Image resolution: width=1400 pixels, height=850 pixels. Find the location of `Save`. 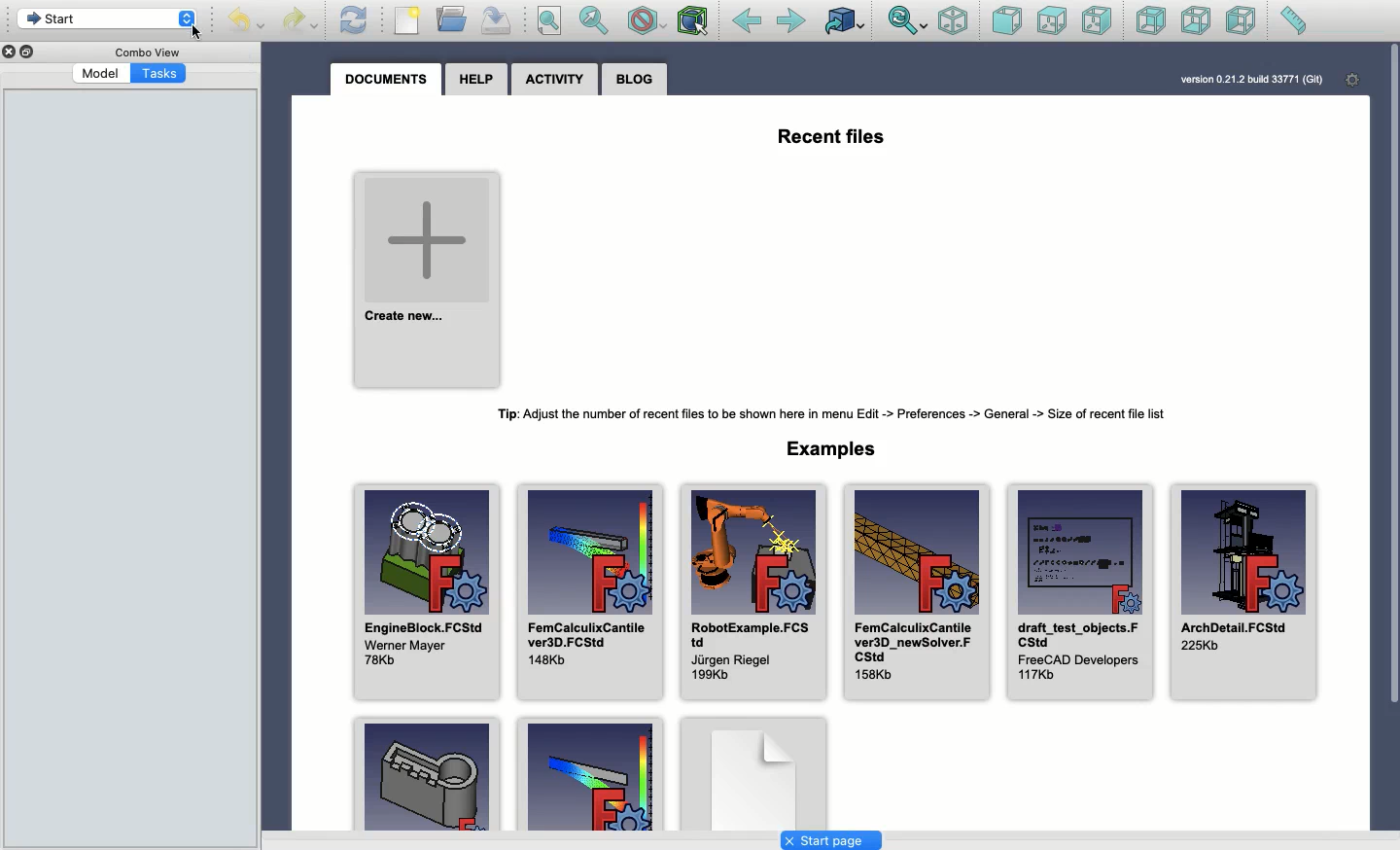

Save is located at coordinates (494, 18).